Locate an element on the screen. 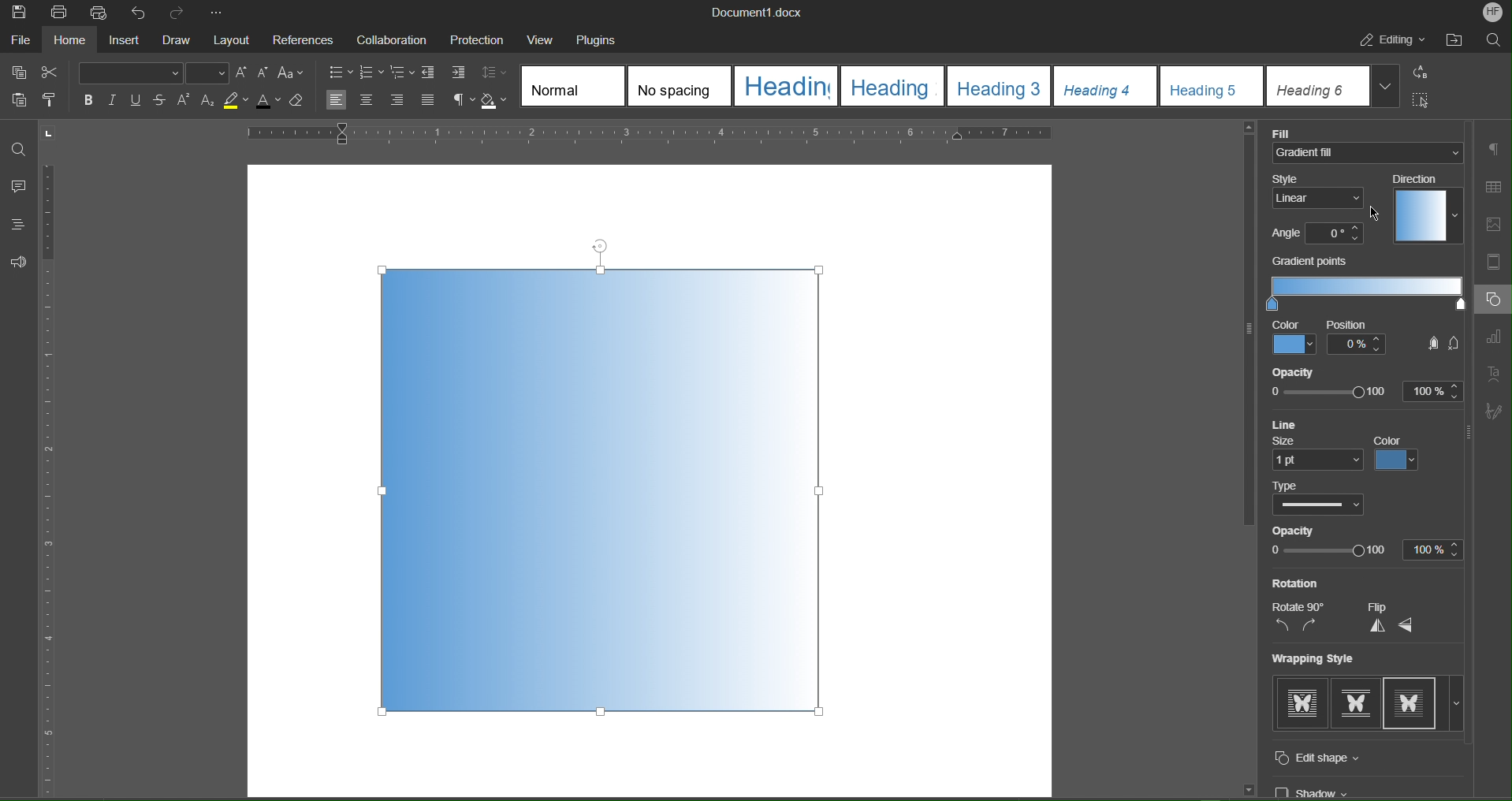 This screenshot has width=1512, height=801. Colors is located at coordinates (1406, 460).